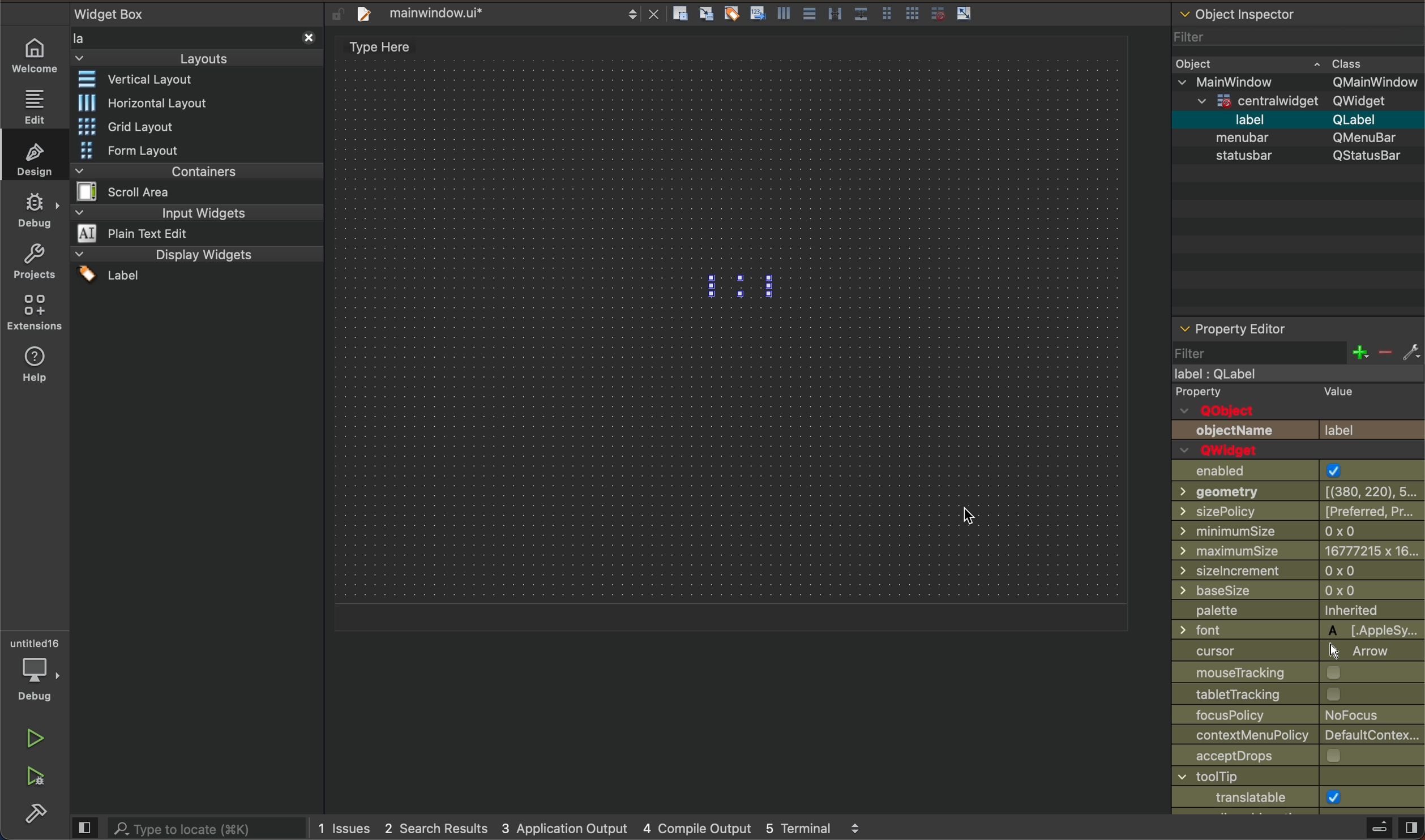 The image size is (1425, 840). I want to click on size increment , so click(1298, 570).